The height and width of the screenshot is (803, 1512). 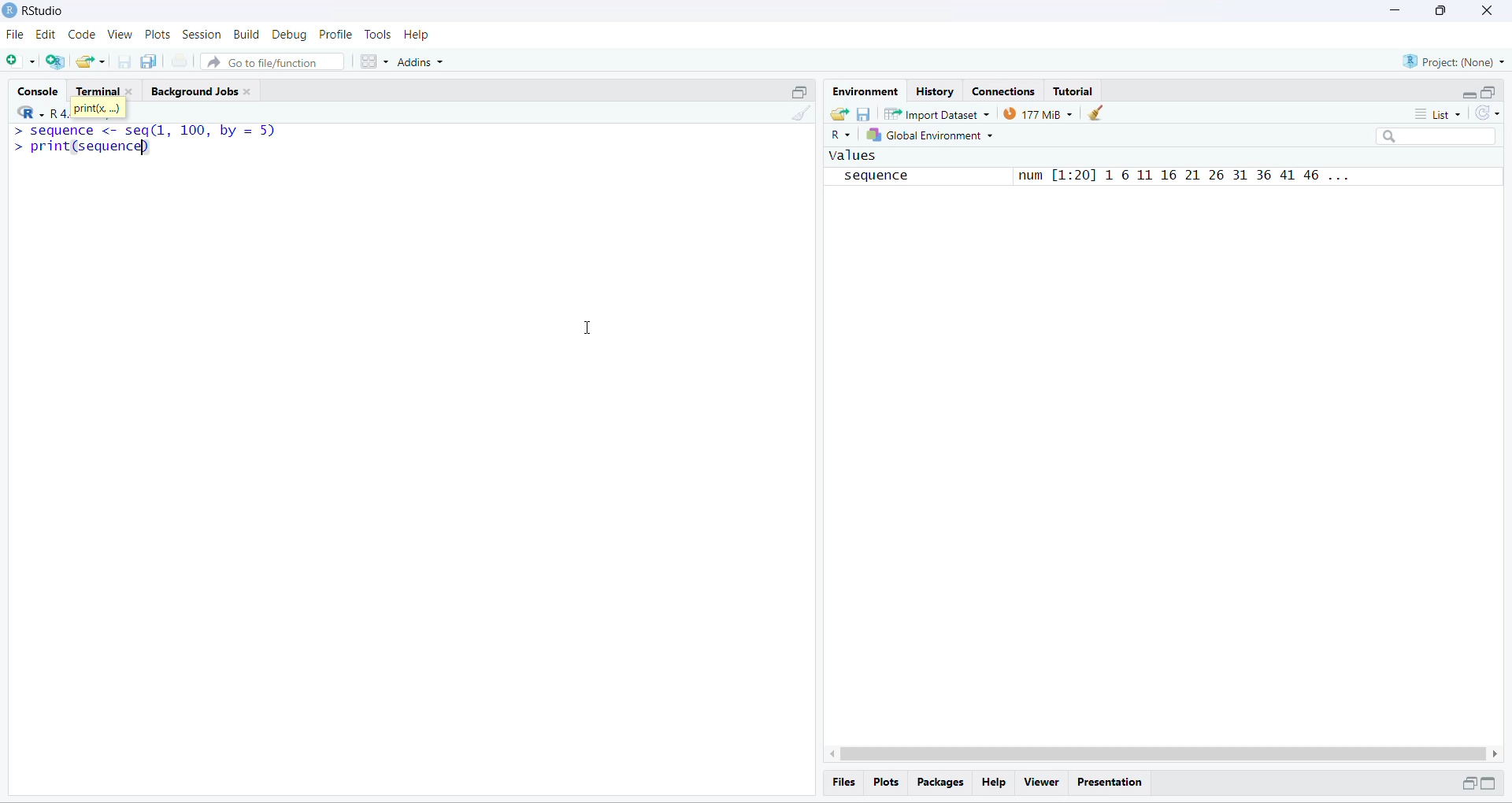 What do you see at coordinates (1180, 176) in the screenshot?
I see `num [1:20] 1 6 11 16 21 26 31 36 41 46 ...` at bounding box center [1180, 176].